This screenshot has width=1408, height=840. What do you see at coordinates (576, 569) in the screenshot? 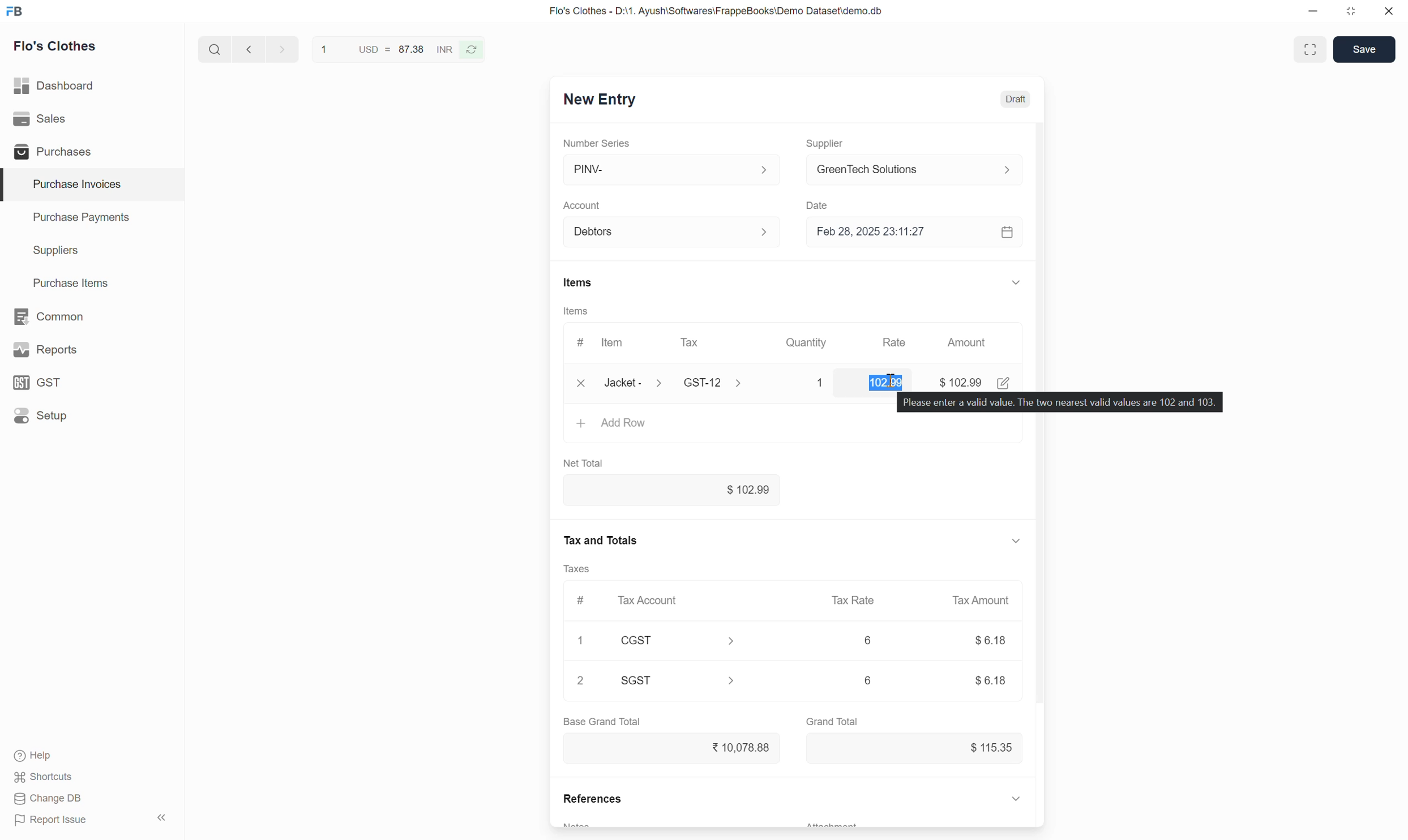
I see `Taxes` at bounding box center [576, 569].